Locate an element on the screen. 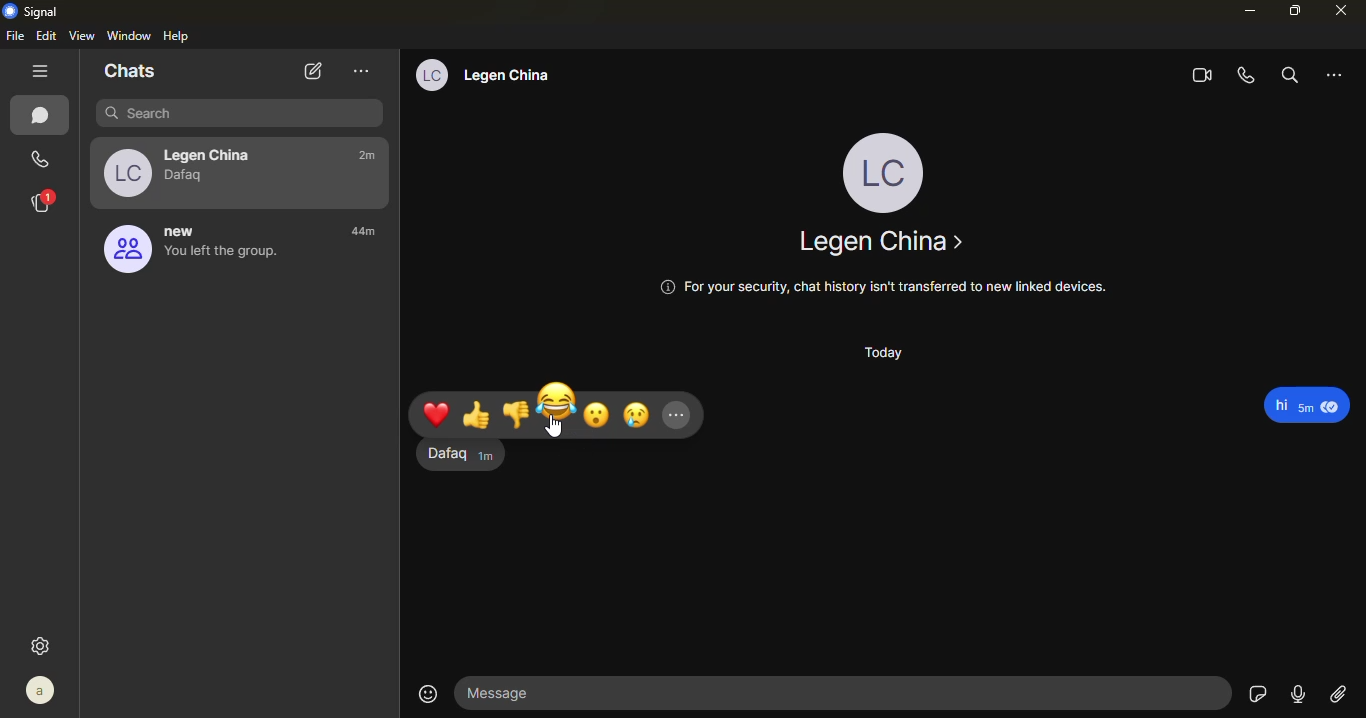  you left the group is located at coordinates (222, 259).